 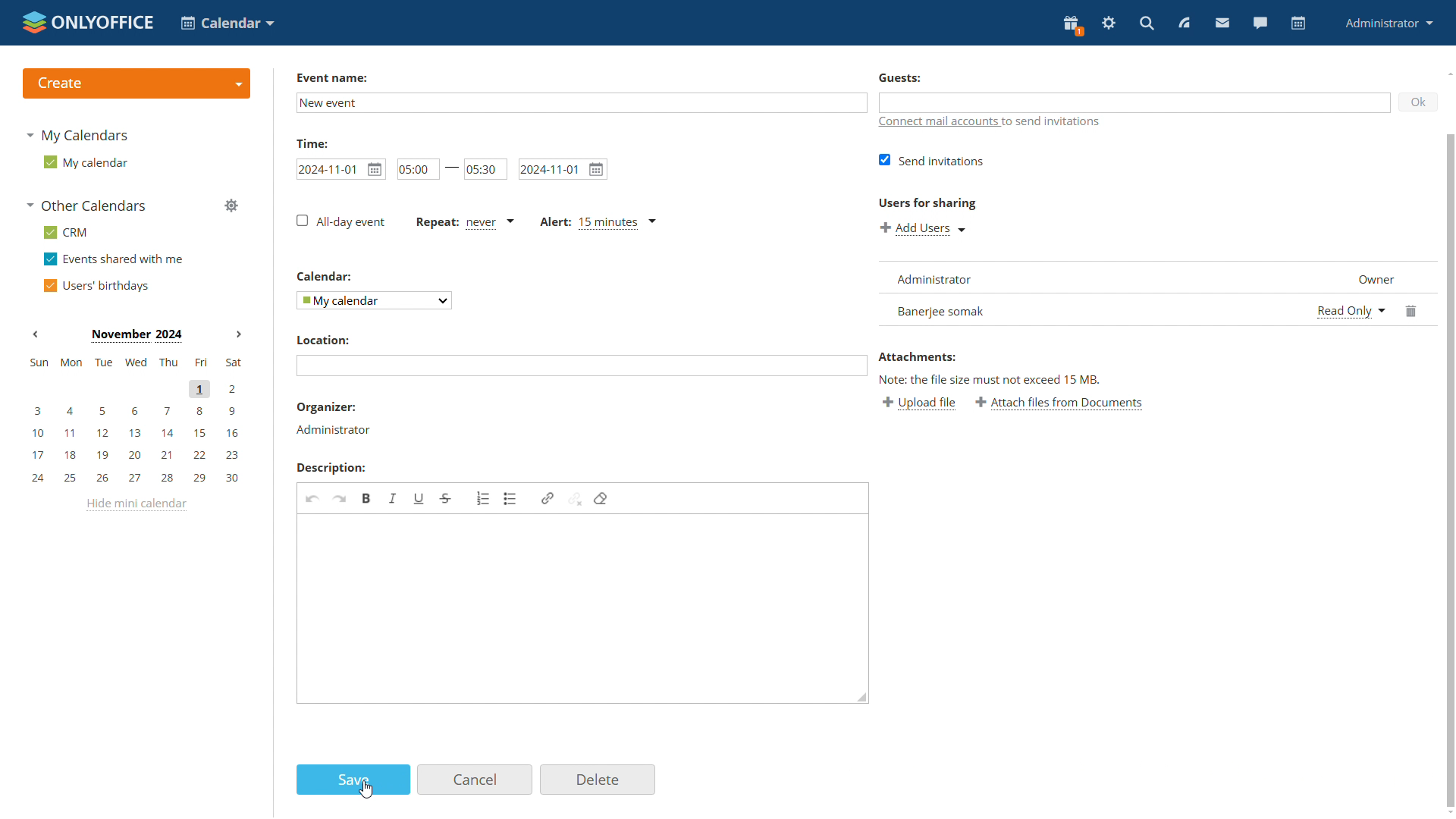 I want to click on Attachments, so click(x=918, y=357).